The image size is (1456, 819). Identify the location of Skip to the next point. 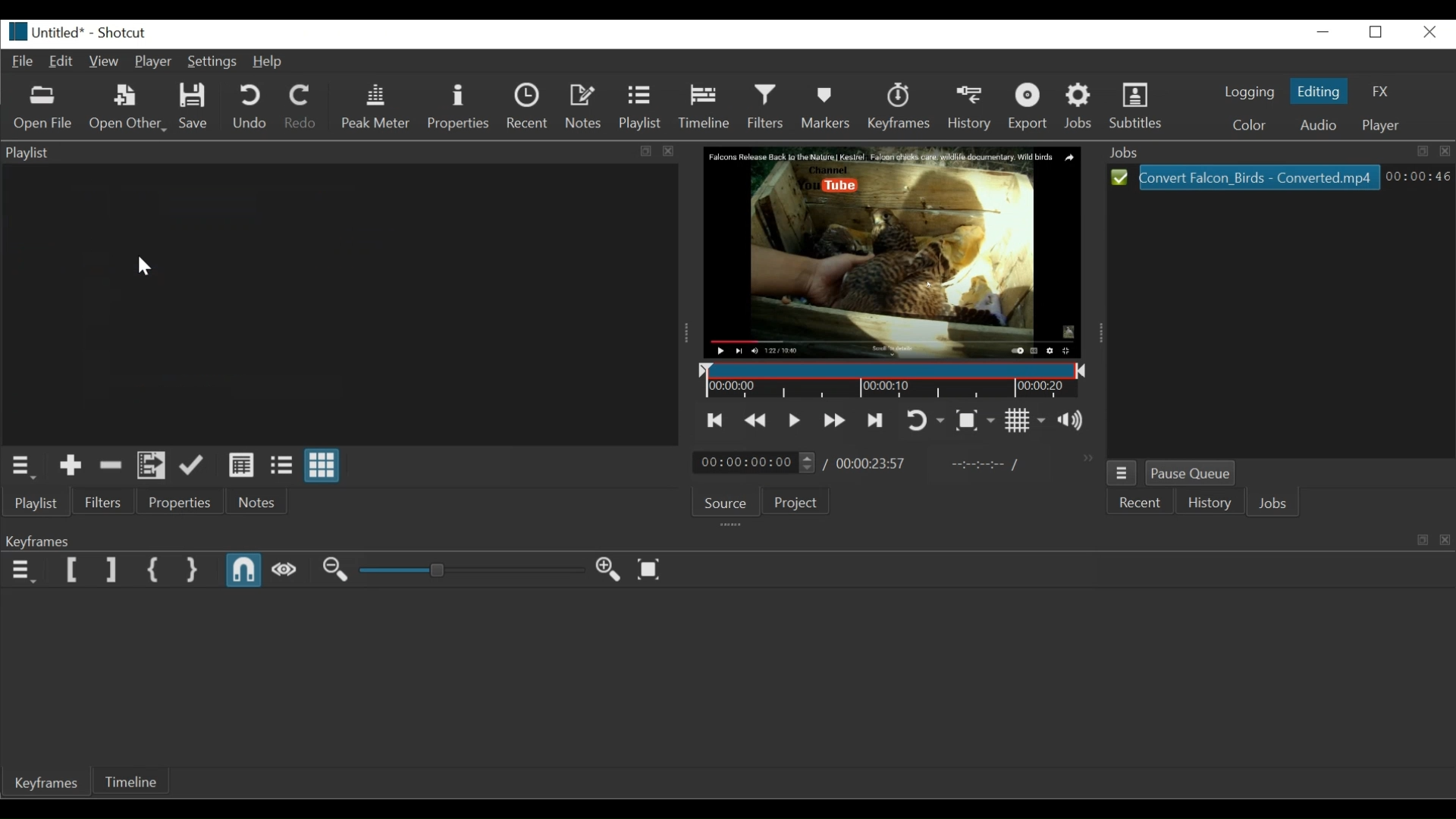
(875, 421).